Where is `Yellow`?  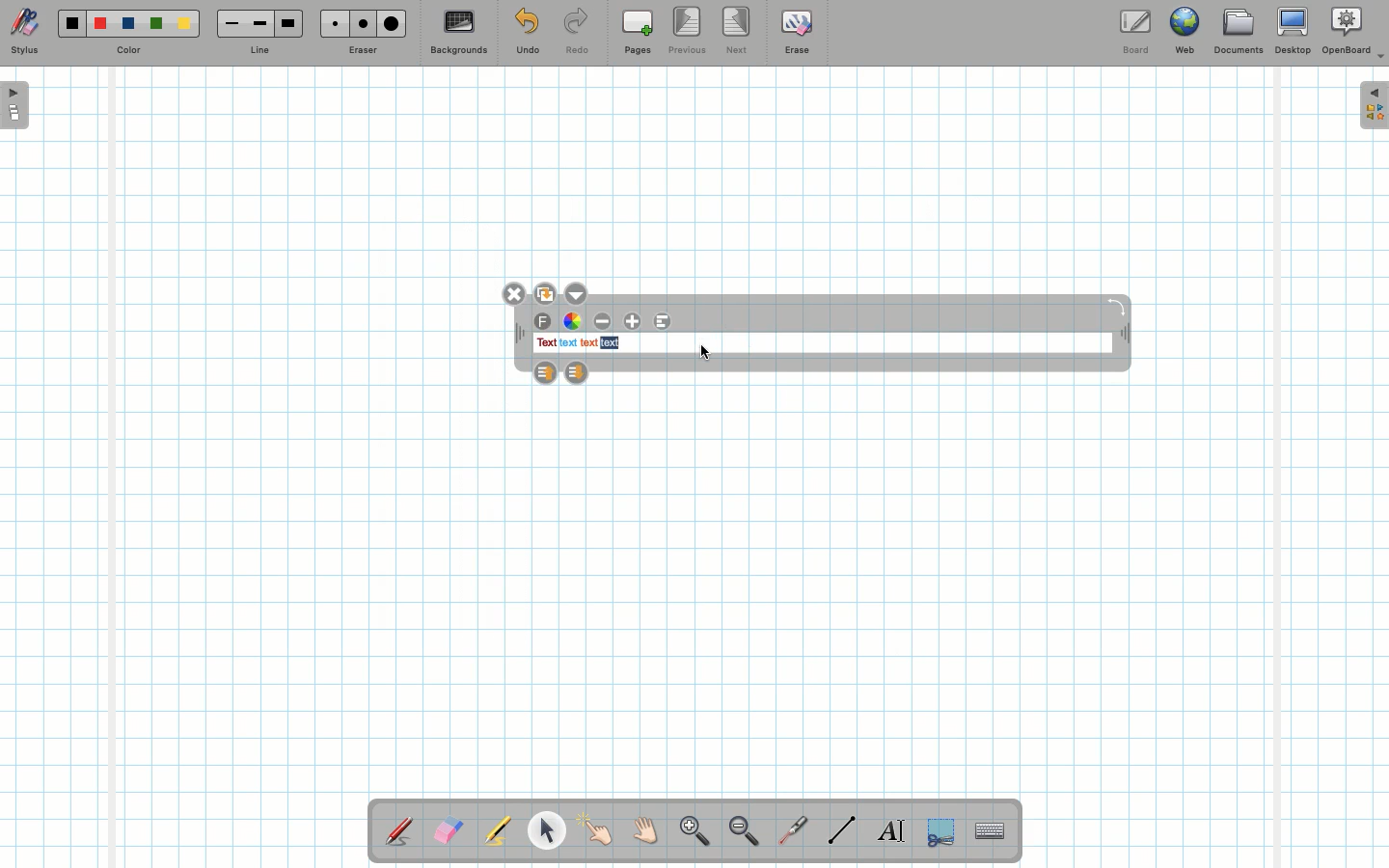 Yellow is located at coordinates (184, 23).